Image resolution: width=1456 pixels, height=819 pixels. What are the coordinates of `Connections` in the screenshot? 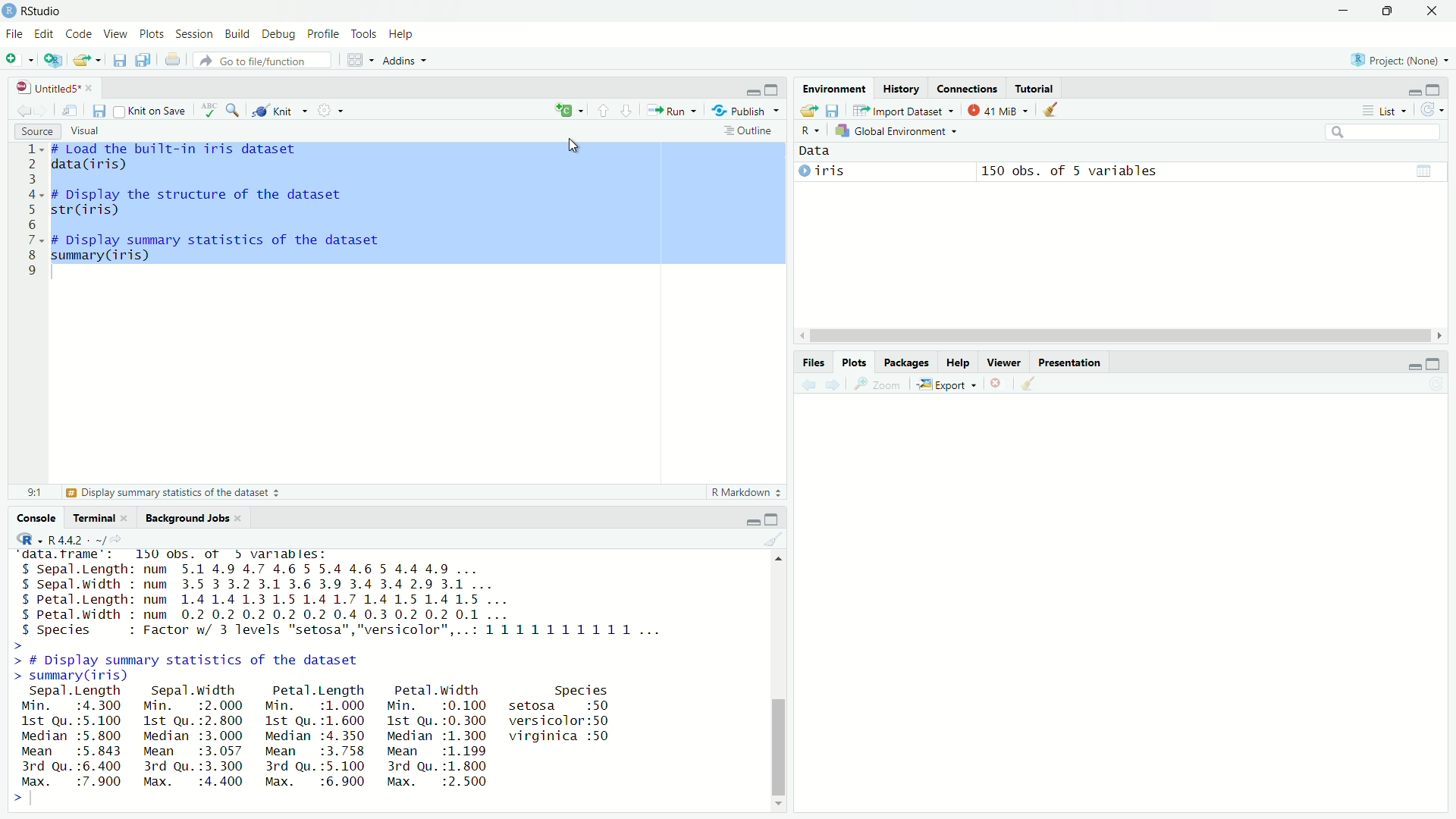 It's located at (967, 87).